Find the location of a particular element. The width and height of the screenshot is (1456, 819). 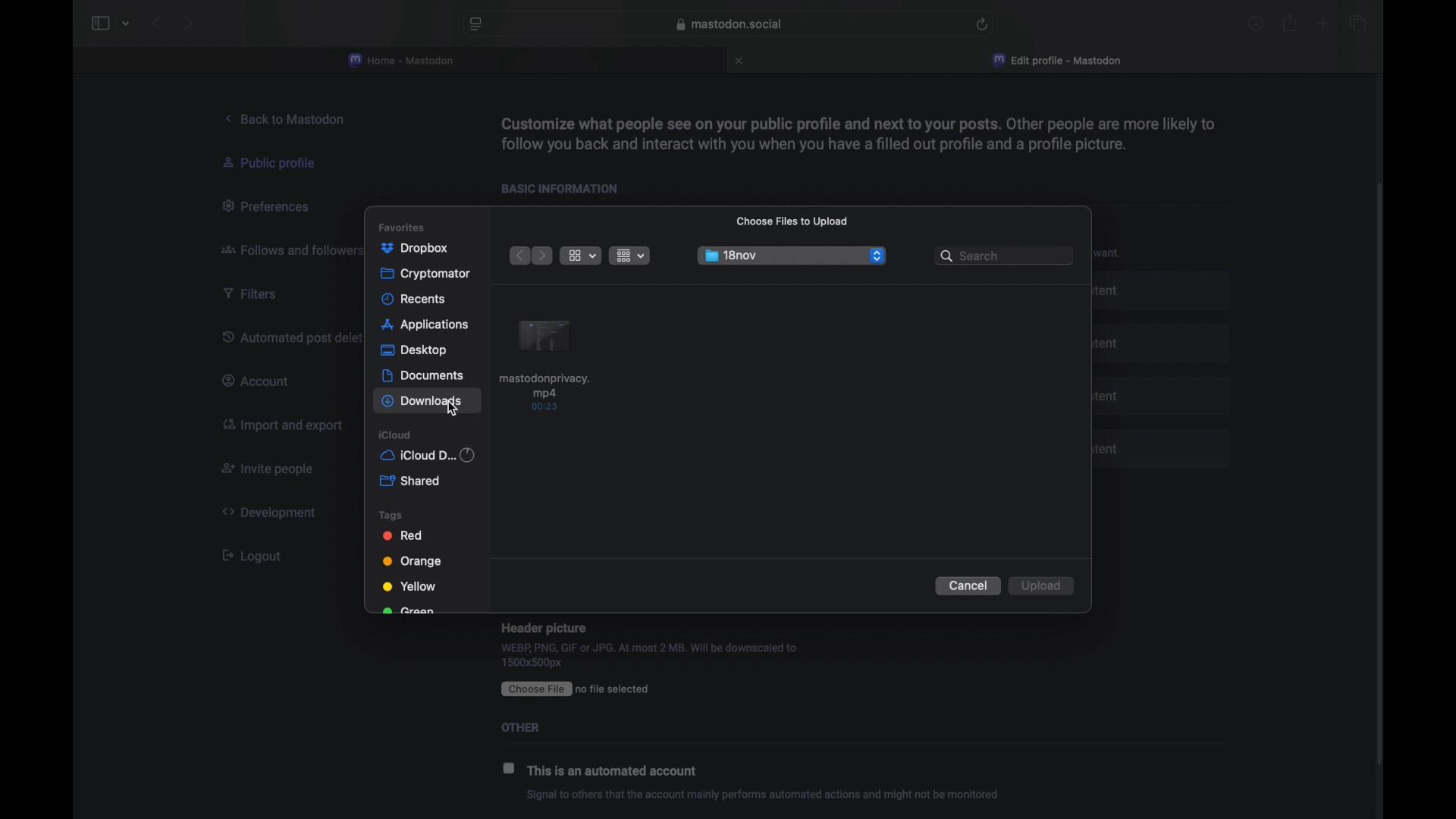

public profile is located at coordinates (278, 163).